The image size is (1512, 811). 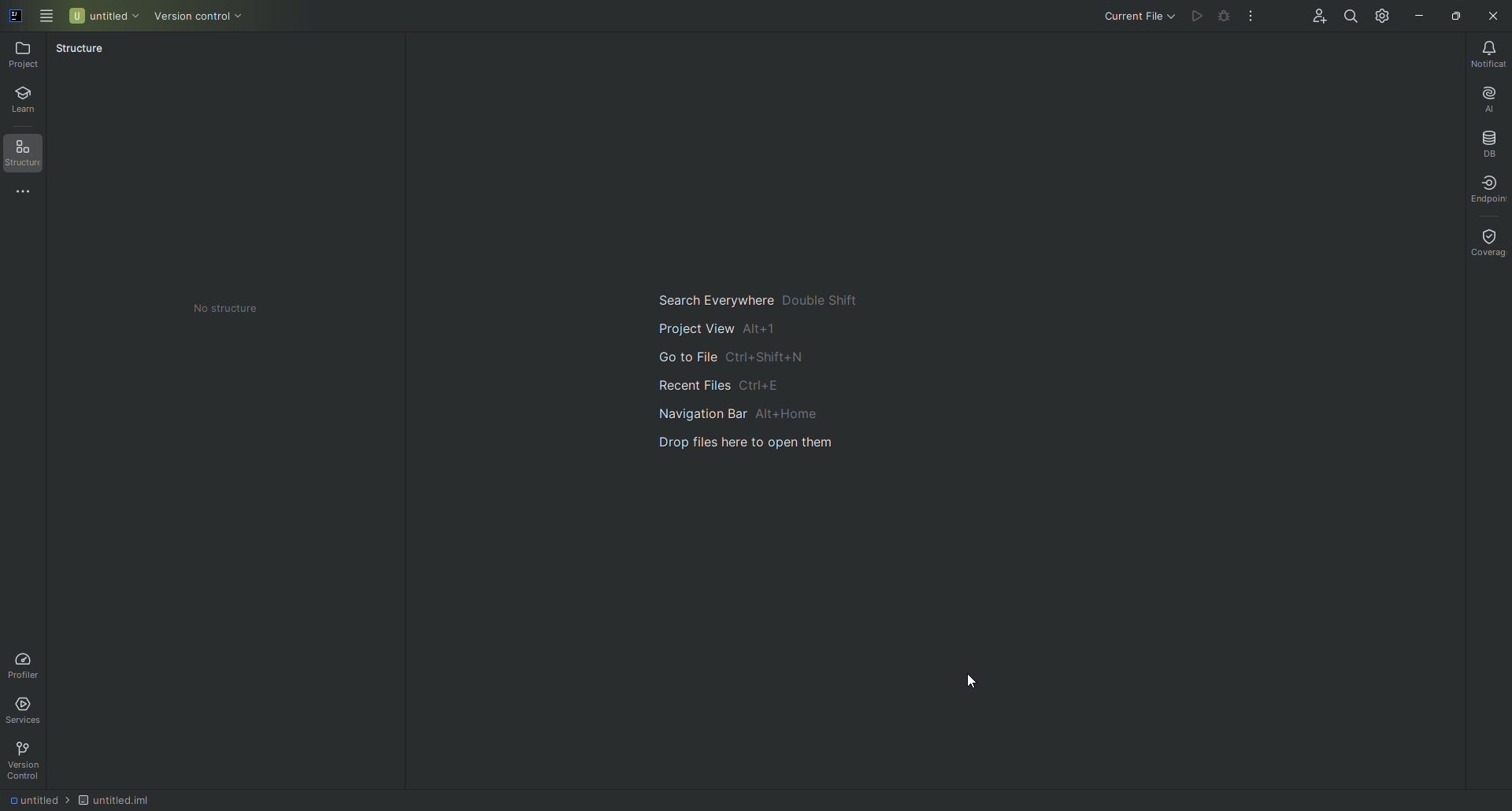 What do you see at coordinates (31, 157) in the screenshot?
I see `Structure` at bounding box center [31, 157].